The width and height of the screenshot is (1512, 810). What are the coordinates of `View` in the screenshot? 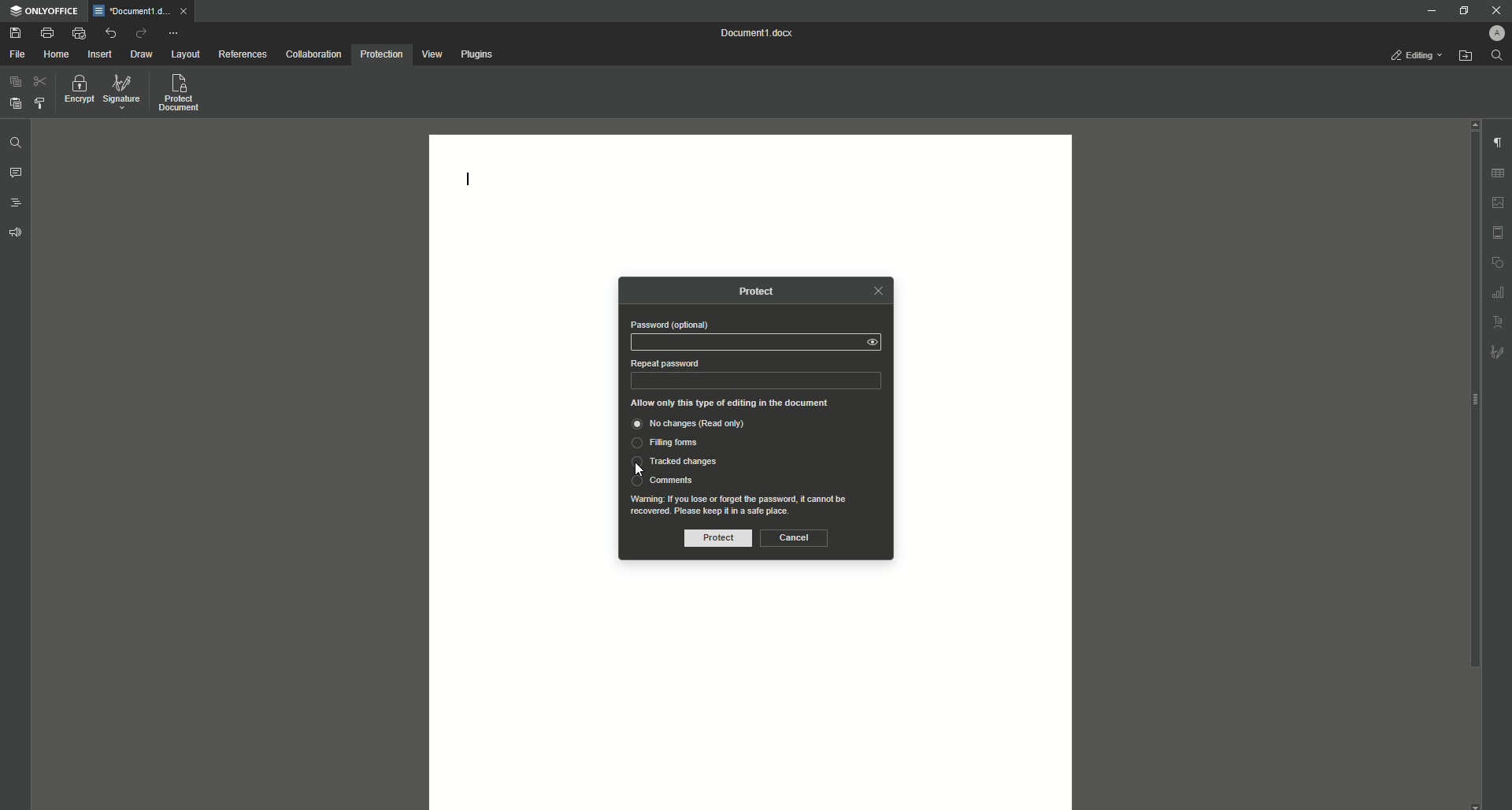 It's located at (430, 54).